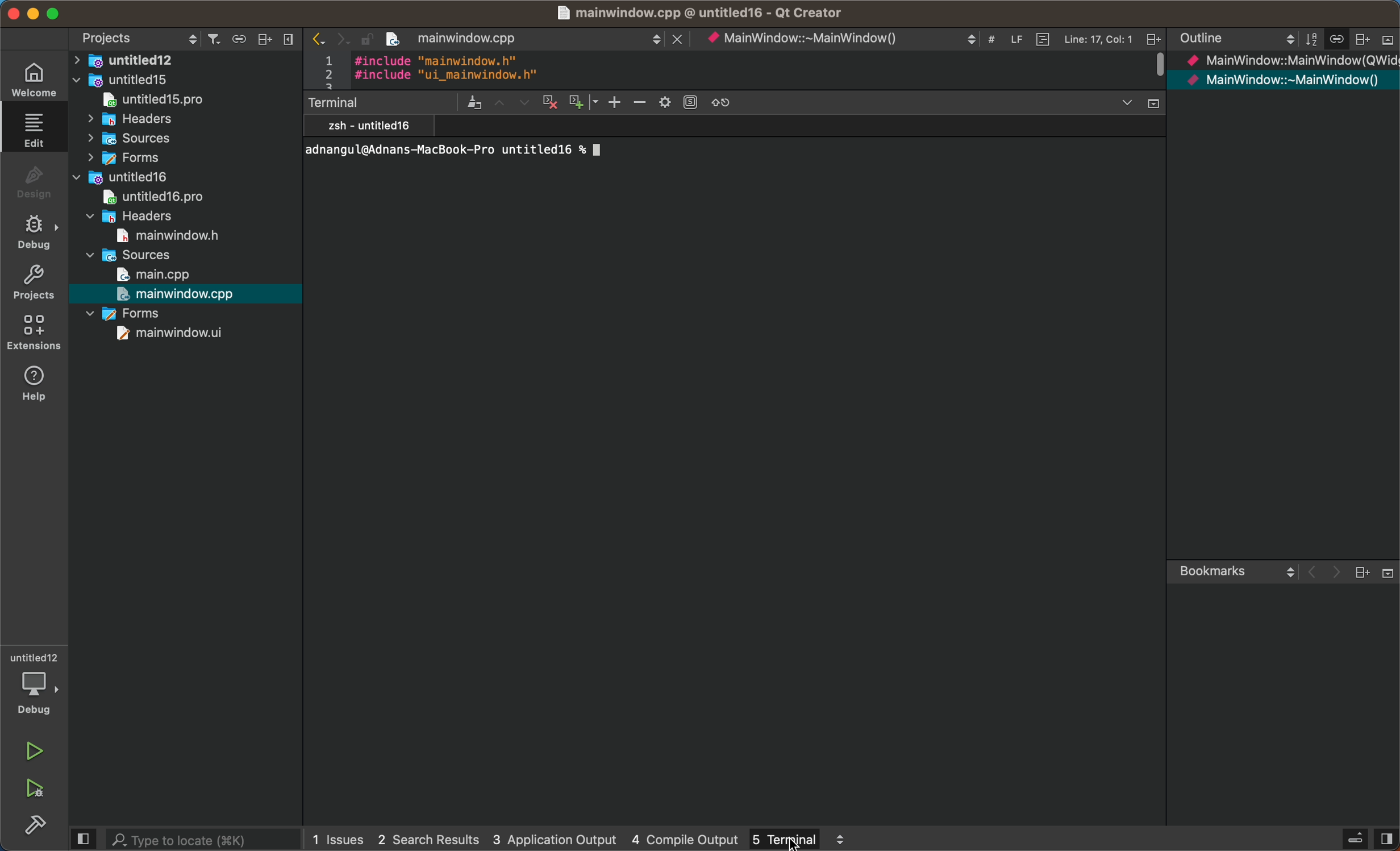 This screenshot has width=1400, height=851. What do you see at coordinates (447, 69) in the screenshot?
I see `file code` at bounding box center [447, 69].